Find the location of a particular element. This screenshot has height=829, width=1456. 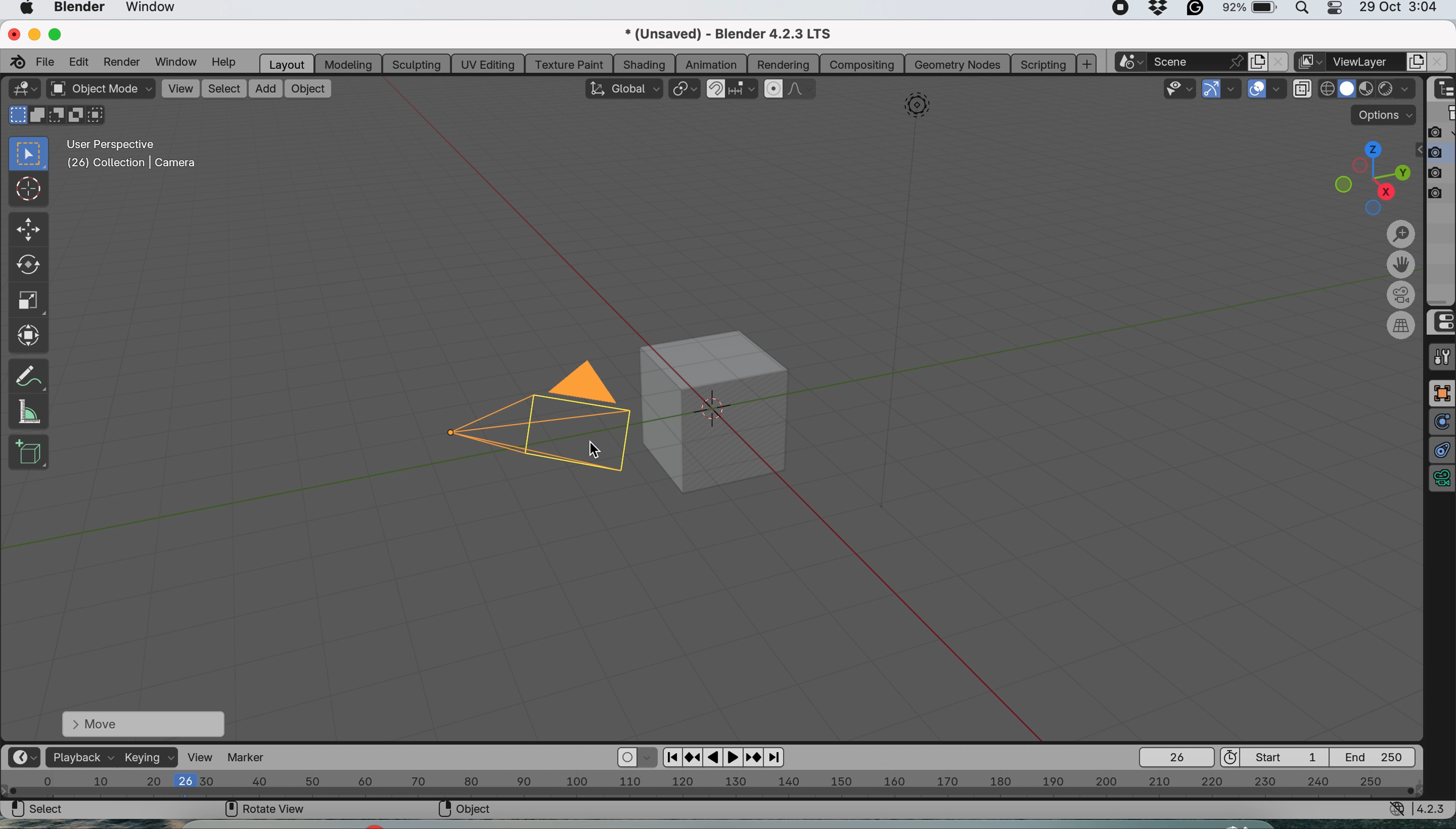

add workspace is located at coordinates (1088, 64).